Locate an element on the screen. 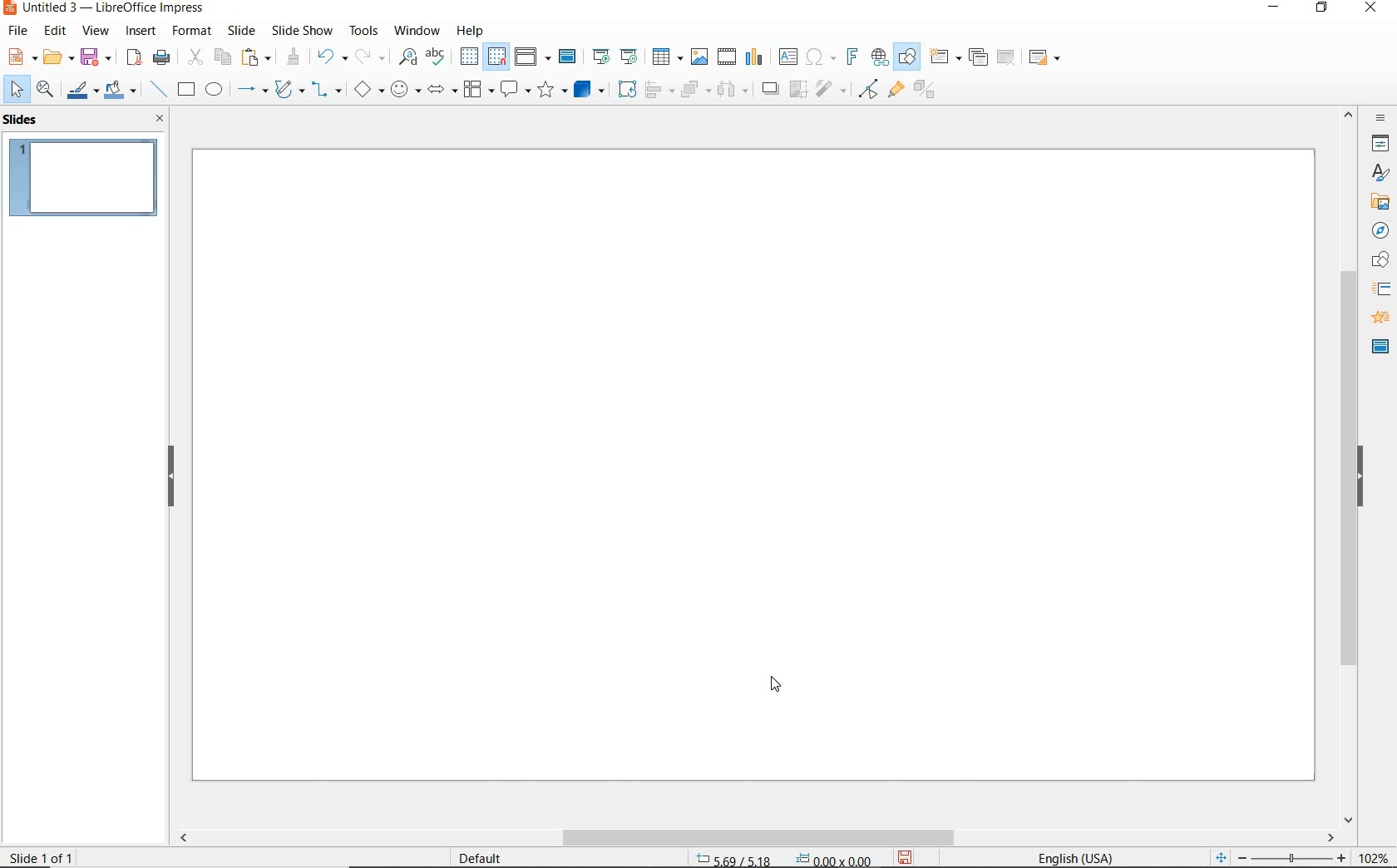  NEW SLIDE is located at coordinates (945, 57).